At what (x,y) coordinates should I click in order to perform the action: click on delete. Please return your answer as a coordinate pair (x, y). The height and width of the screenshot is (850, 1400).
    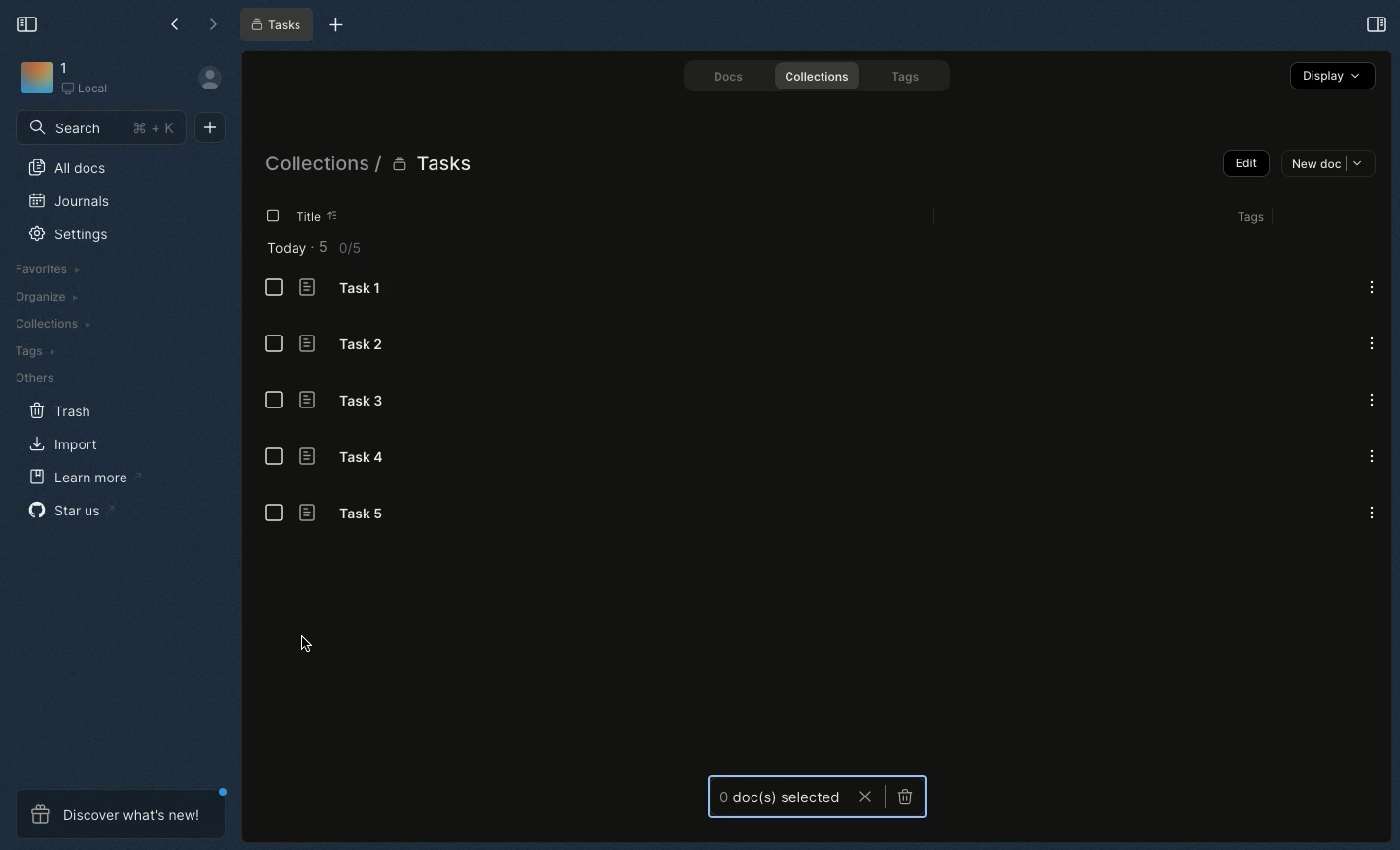
    Looking at the image, I should click on (902, 798).